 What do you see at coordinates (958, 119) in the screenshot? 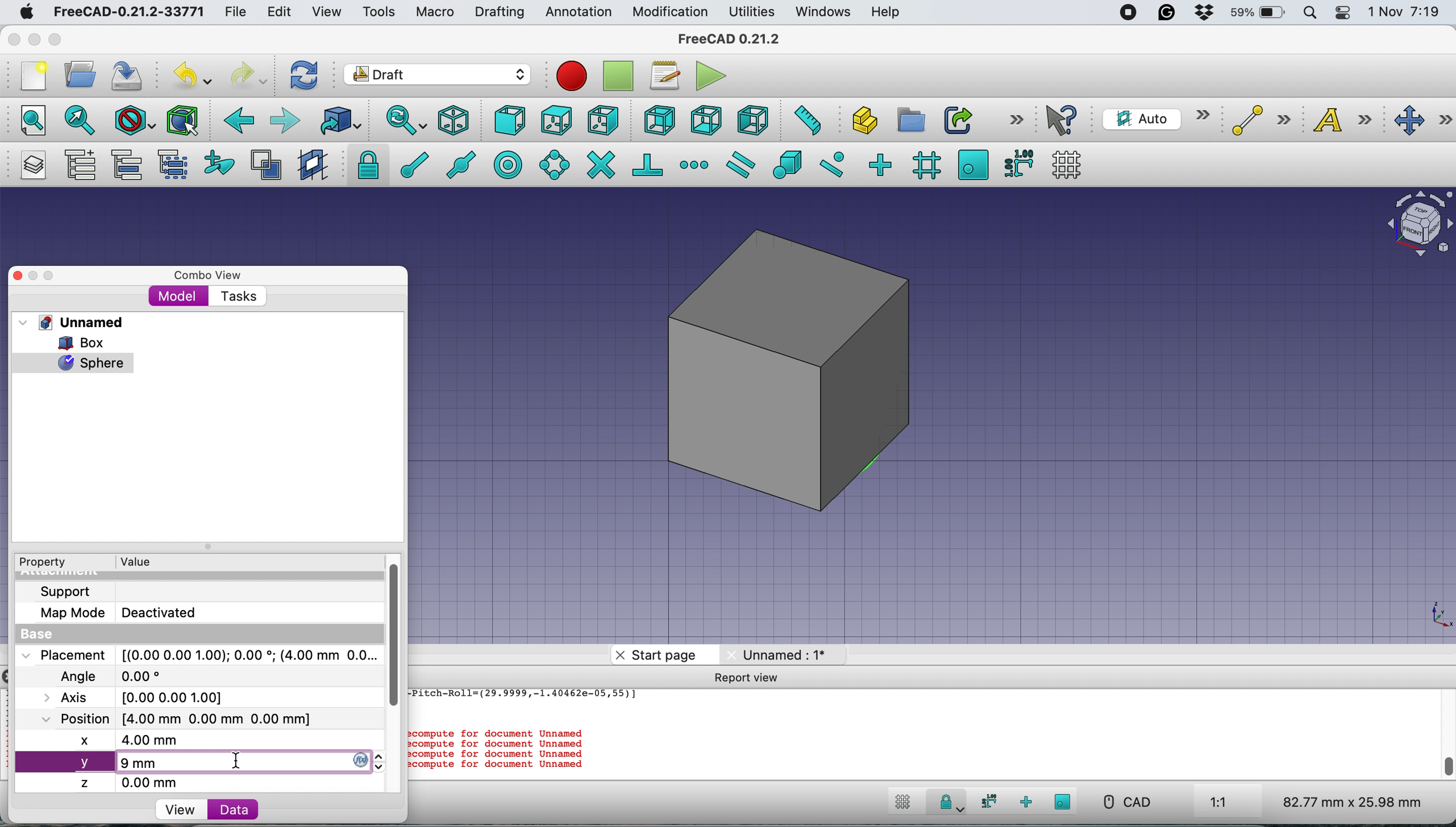
I see `make link` at bounding box center [958, 119].